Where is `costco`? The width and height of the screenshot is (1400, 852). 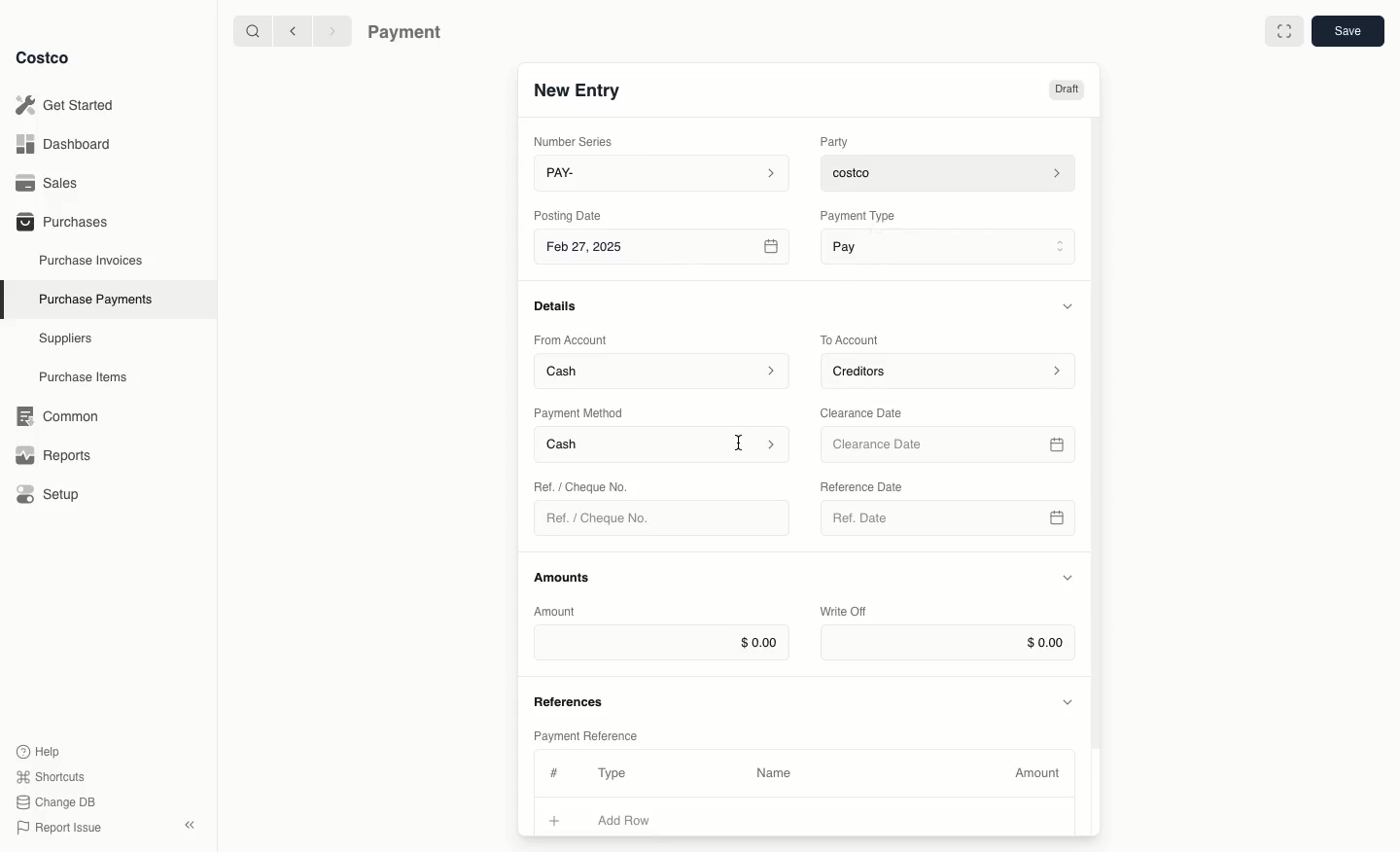 costco is located at coordinates (953, 170).